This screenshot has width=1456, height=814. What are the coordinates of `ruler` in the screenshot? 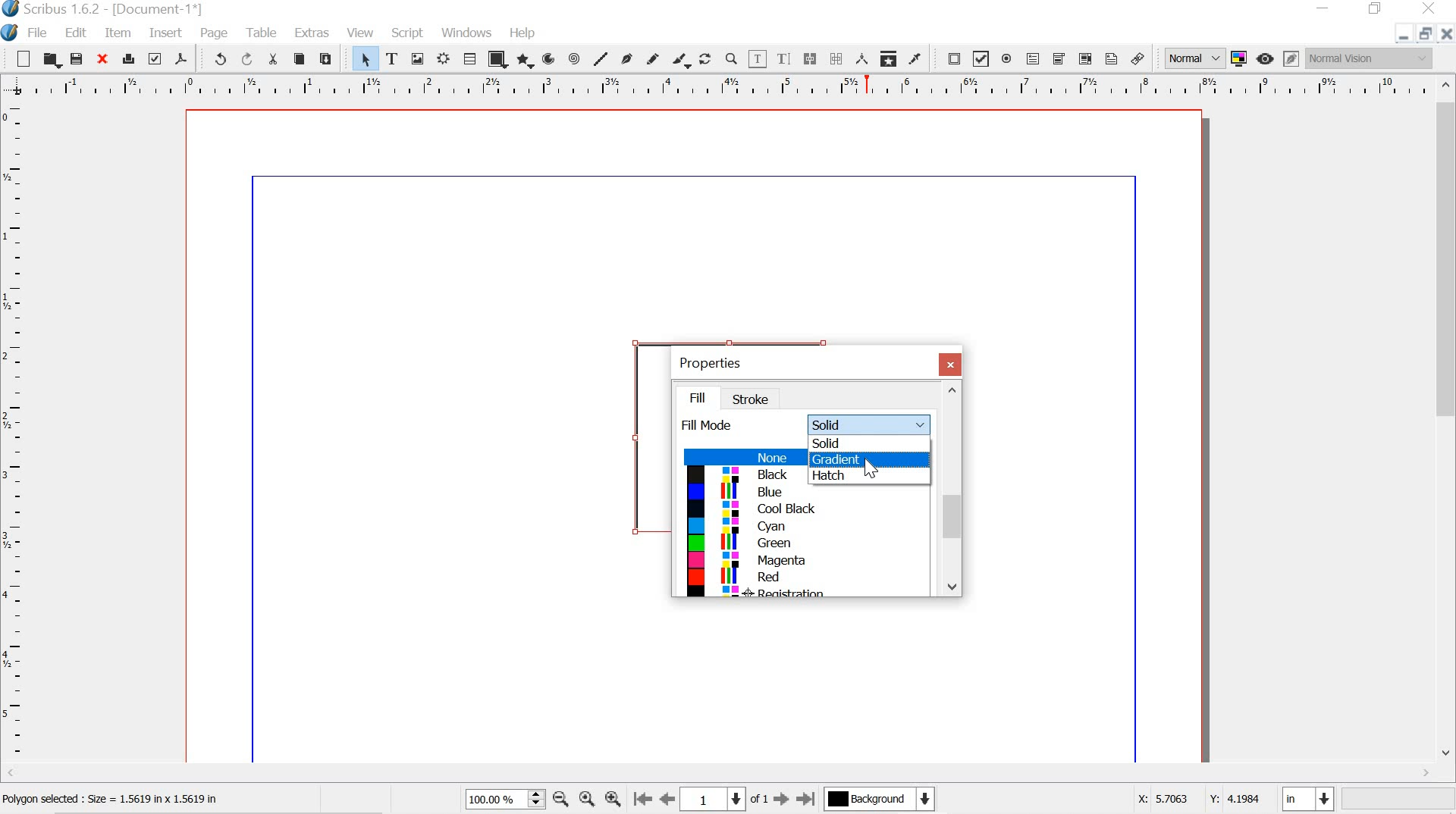 It's located at (716, 86).